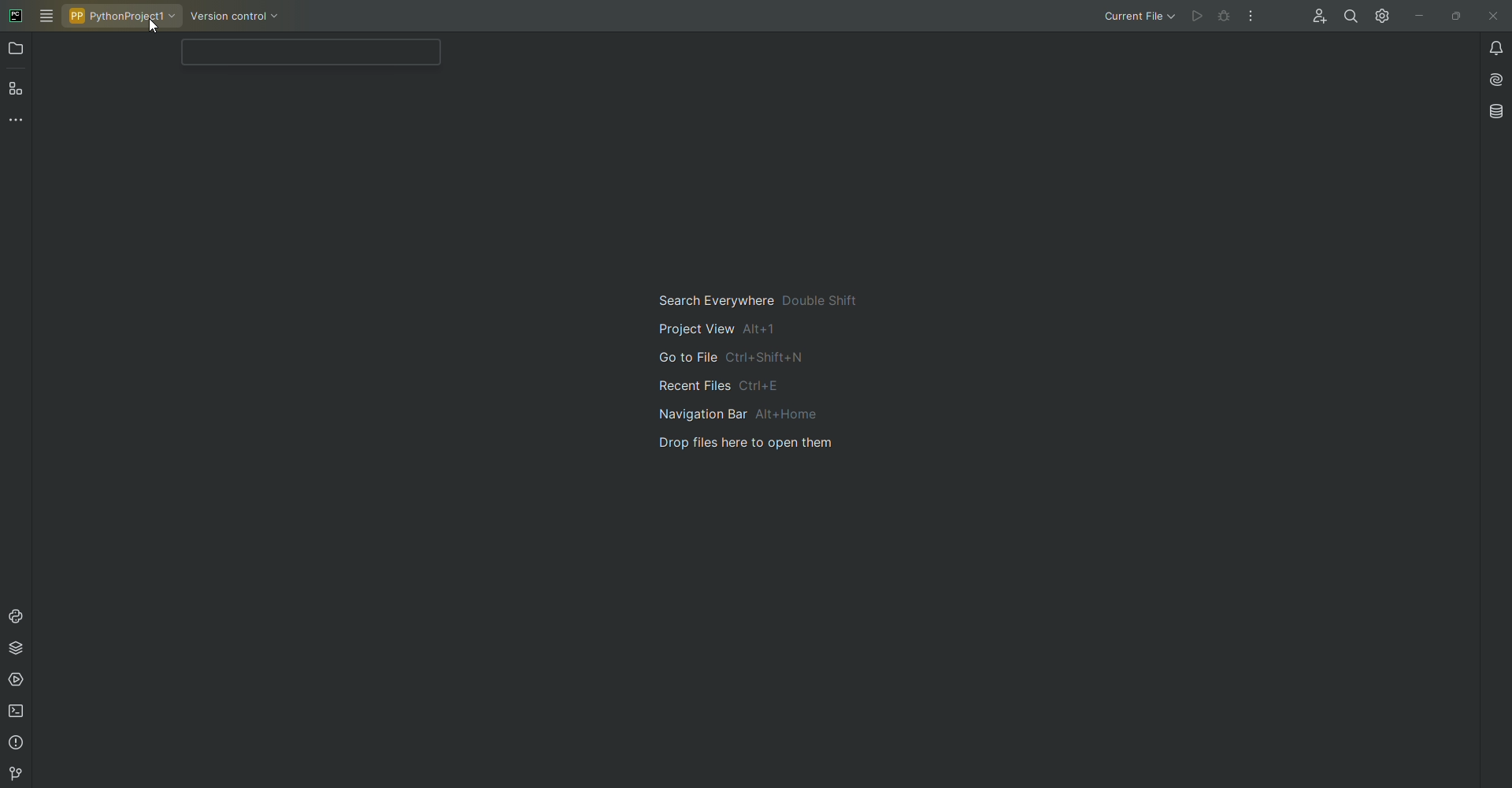 Image resolution: width=1512 pixels, height=788 pixels. I want to click on Options, so click(1251, 16).